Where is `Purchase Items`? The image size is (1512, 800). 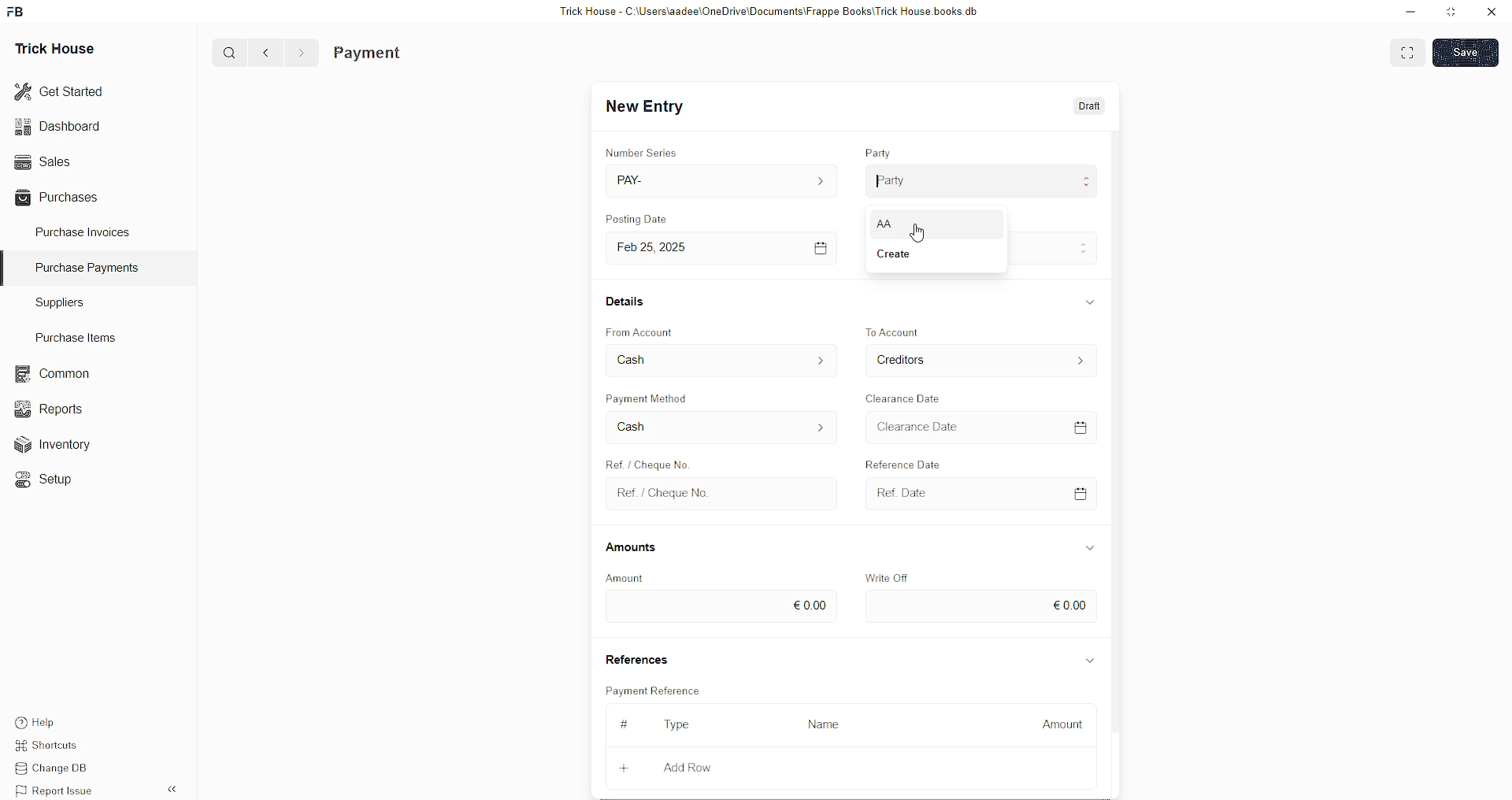
Purchase Items is located at coordinates (80, 335).